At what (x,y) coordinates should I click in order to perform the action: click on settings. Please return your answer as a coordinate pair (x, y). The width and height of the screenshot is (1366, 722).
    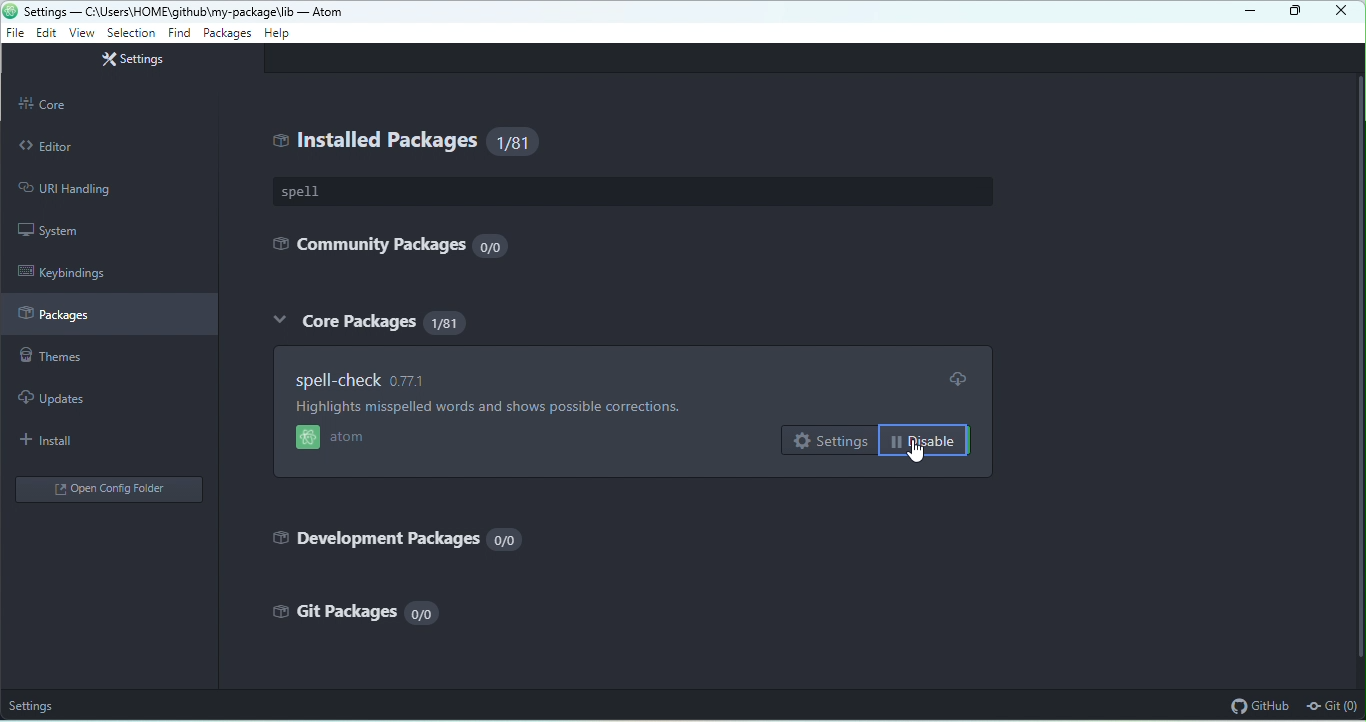
    Looking at the image, I should click on (131, 61).